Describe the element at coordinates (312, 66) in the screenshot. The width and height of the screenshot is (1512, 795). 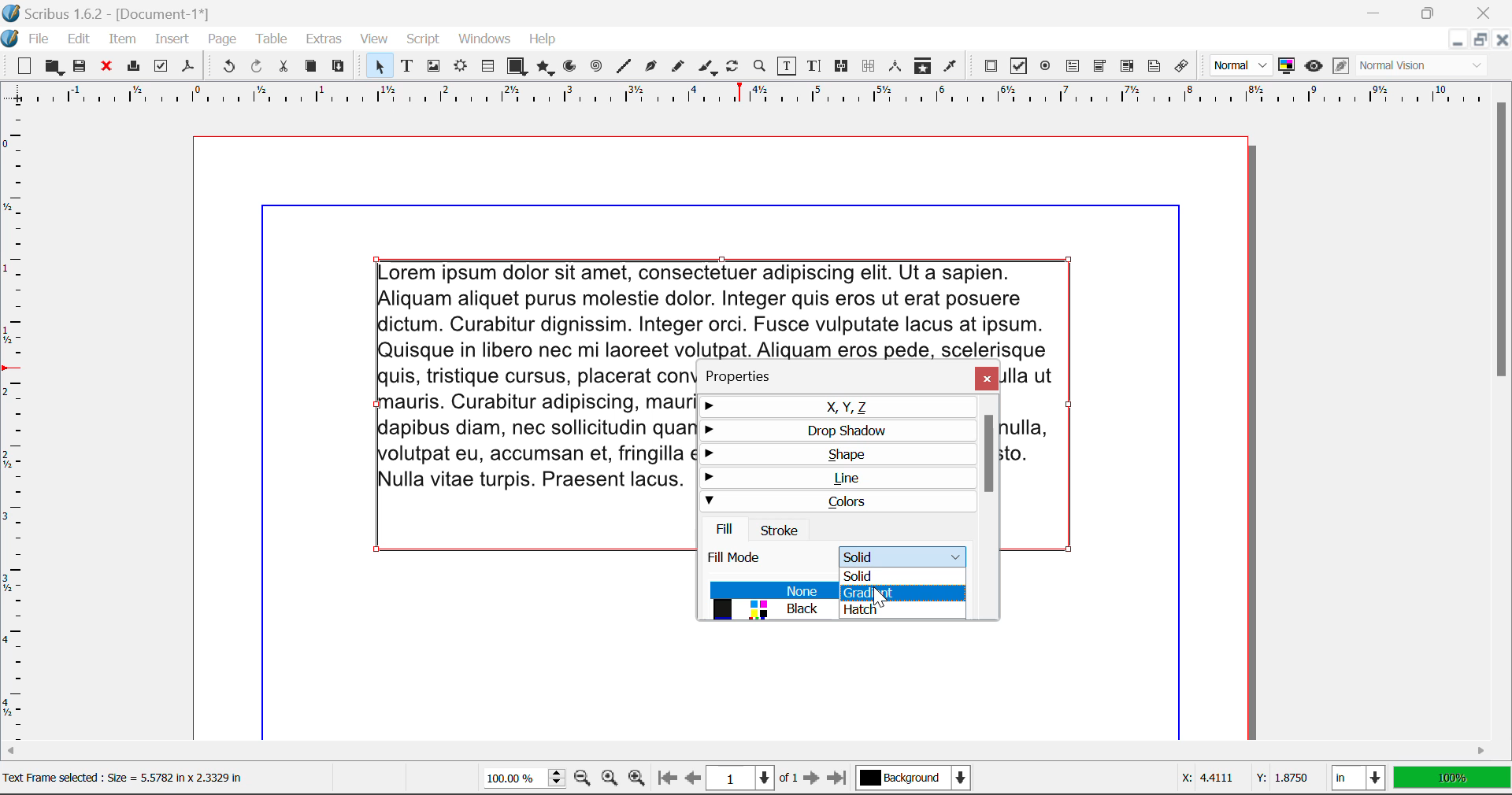
I see `Copy` at that location.